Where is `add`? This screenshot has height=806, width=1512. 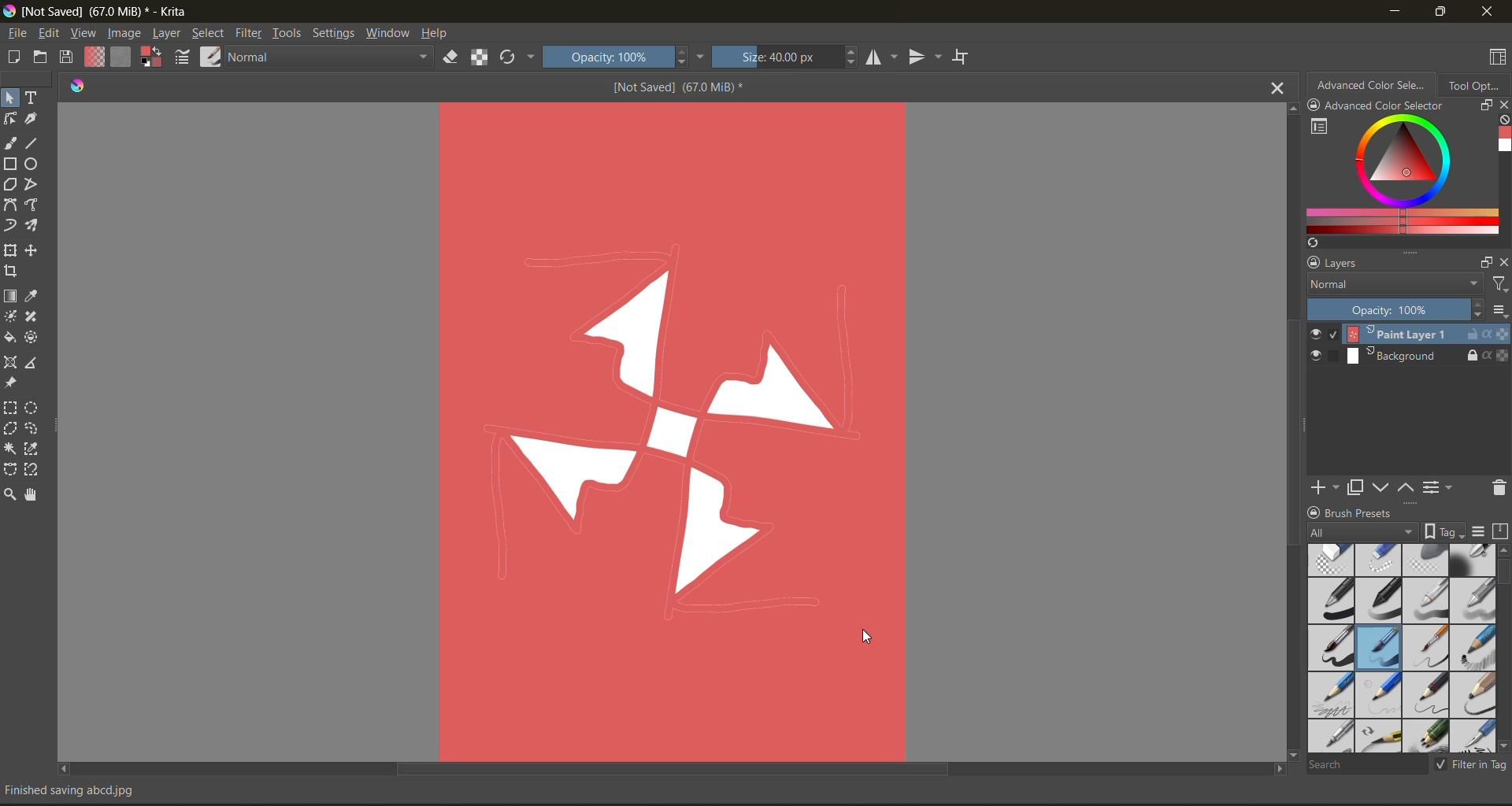 add is located at coordinates (1329, 486).